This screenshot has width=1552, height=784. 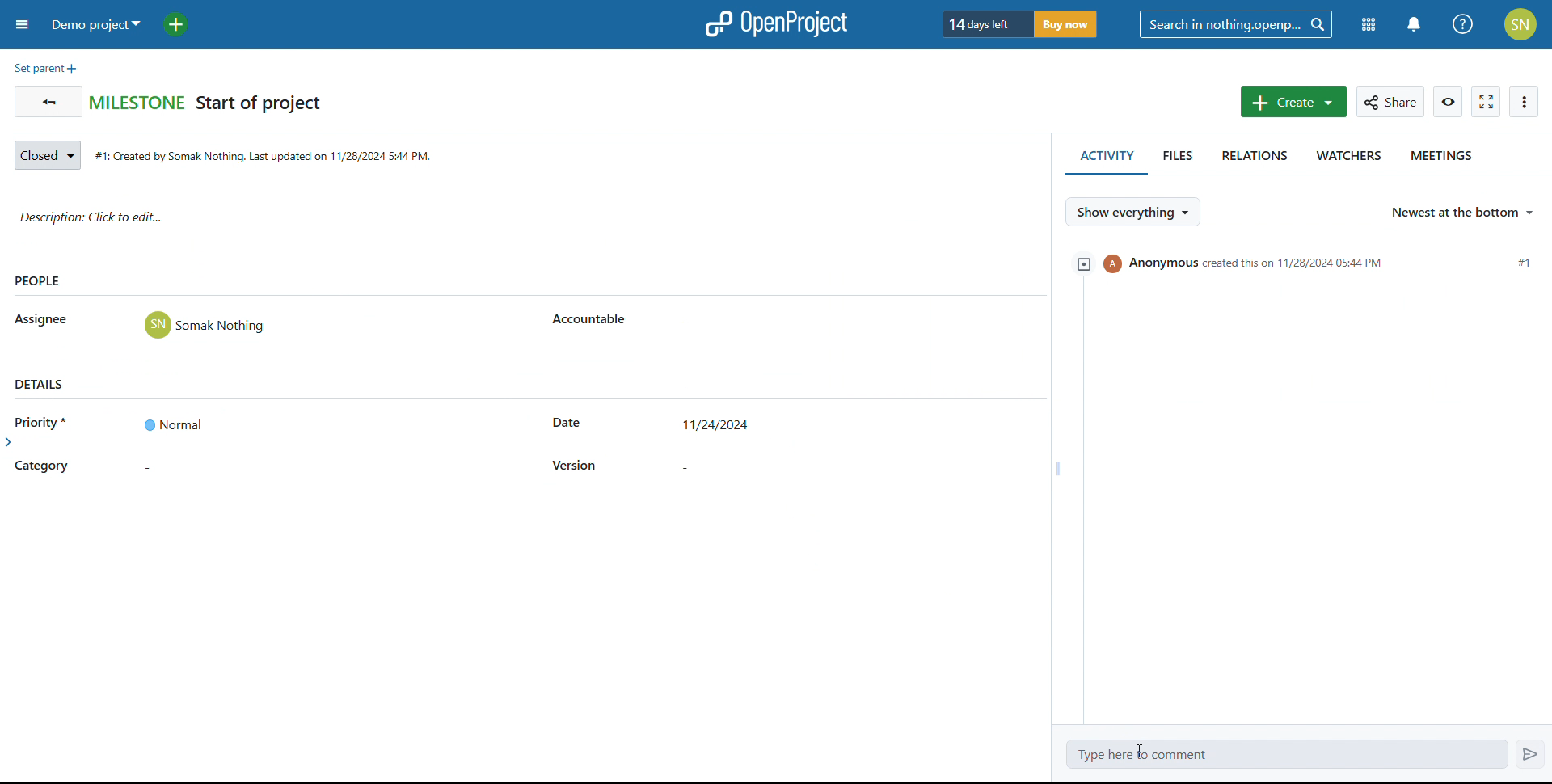 What do you see at coordinates (1175, 161) in the screenshot?
I see `files` at bounding box center [1175, 161].